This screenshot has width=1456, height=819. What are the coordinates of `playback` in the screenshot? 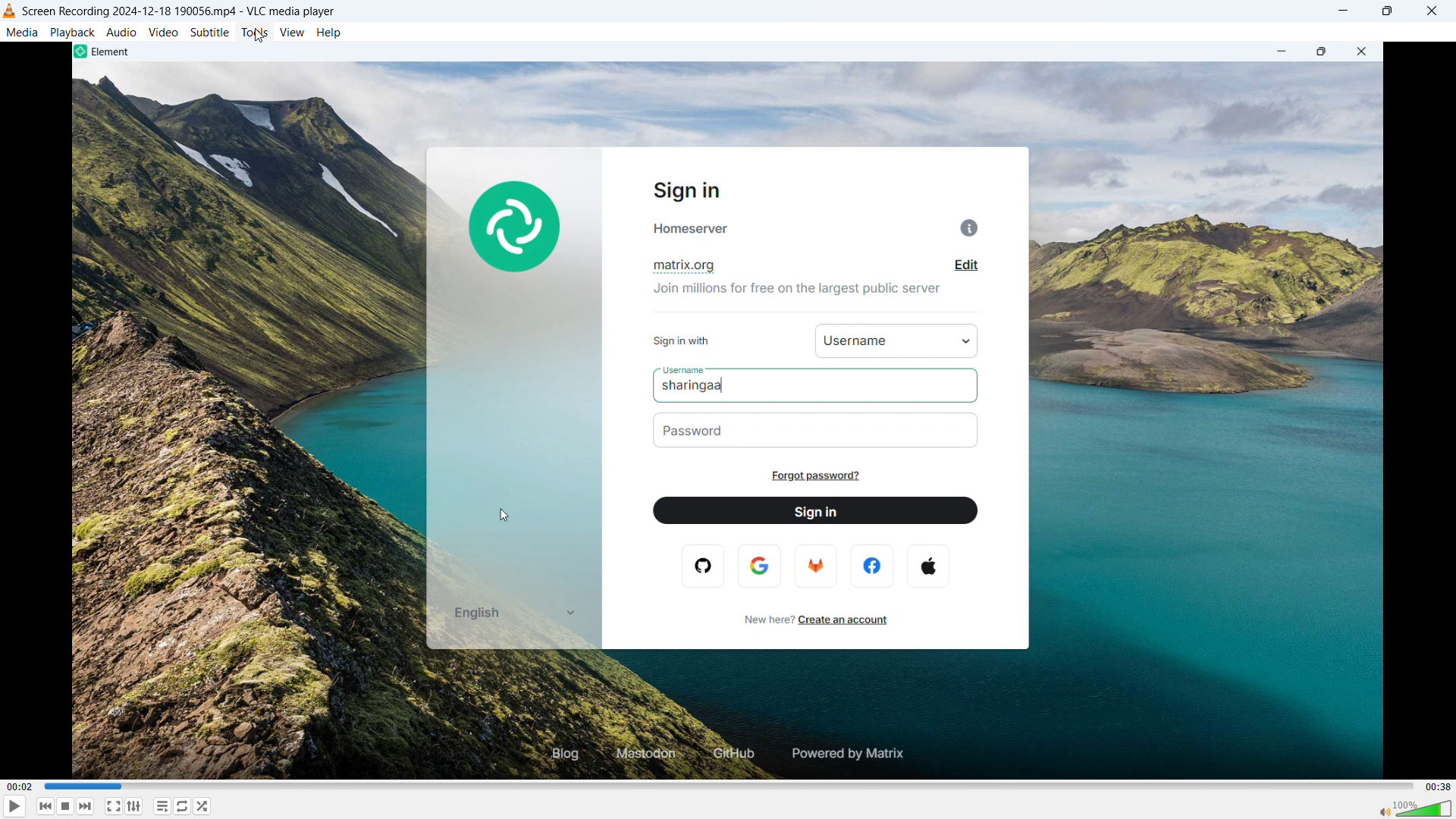 It's located at (73, 33).